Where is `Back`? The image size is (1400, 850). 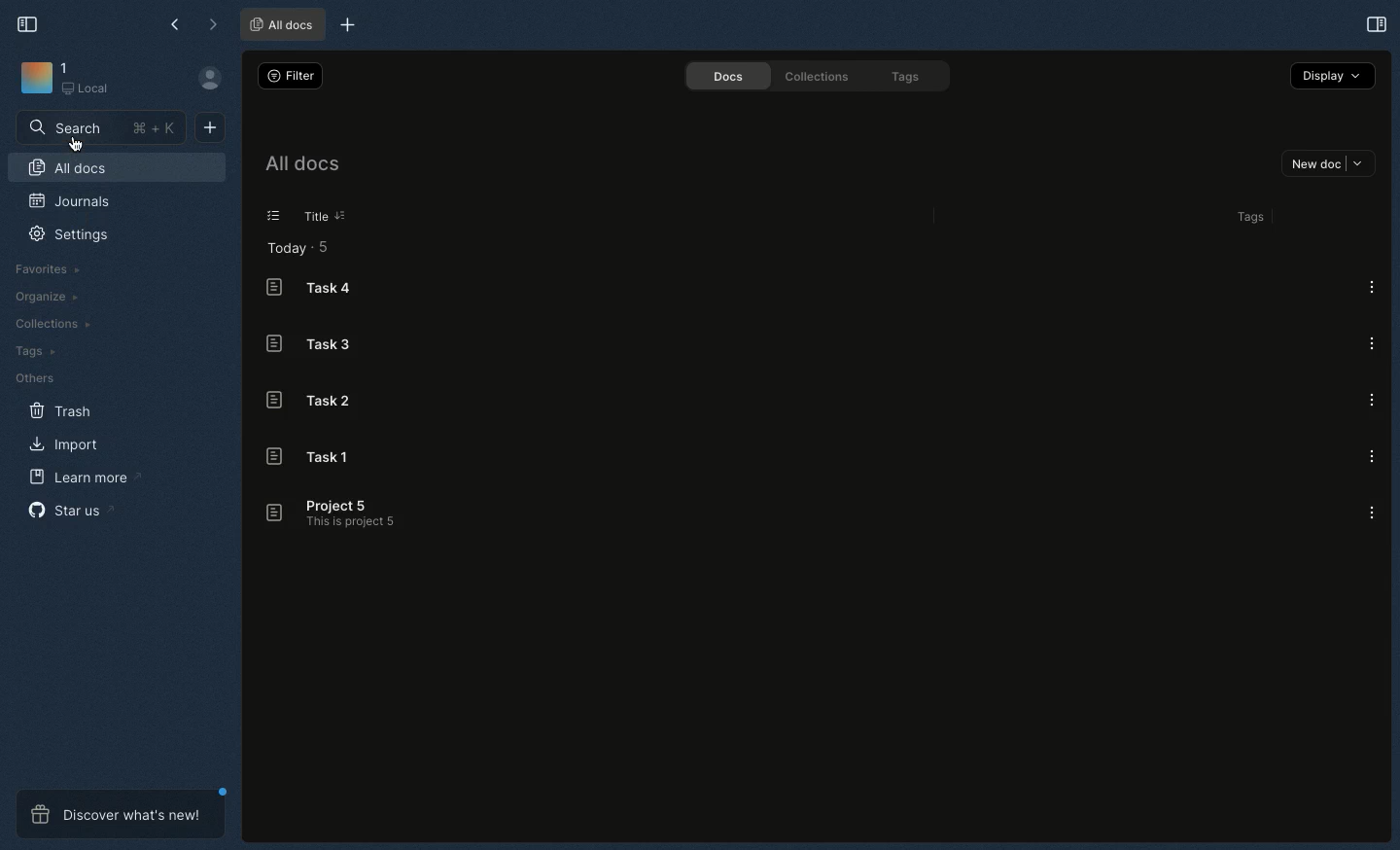
Back is located at coordinates (171, 26).